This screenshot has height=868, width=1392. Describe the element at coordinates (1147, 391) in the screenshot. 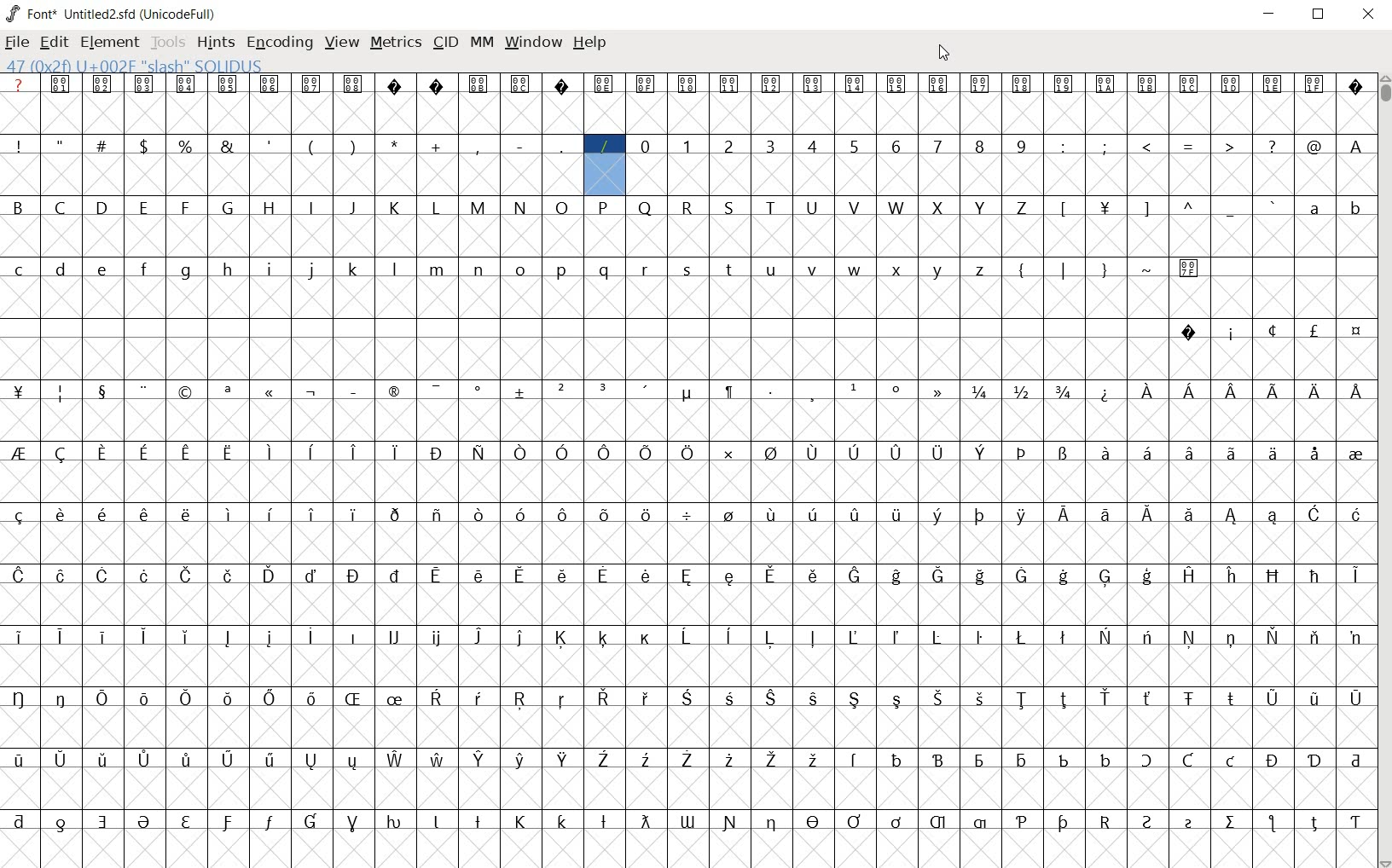

I see `glyph` at that location.